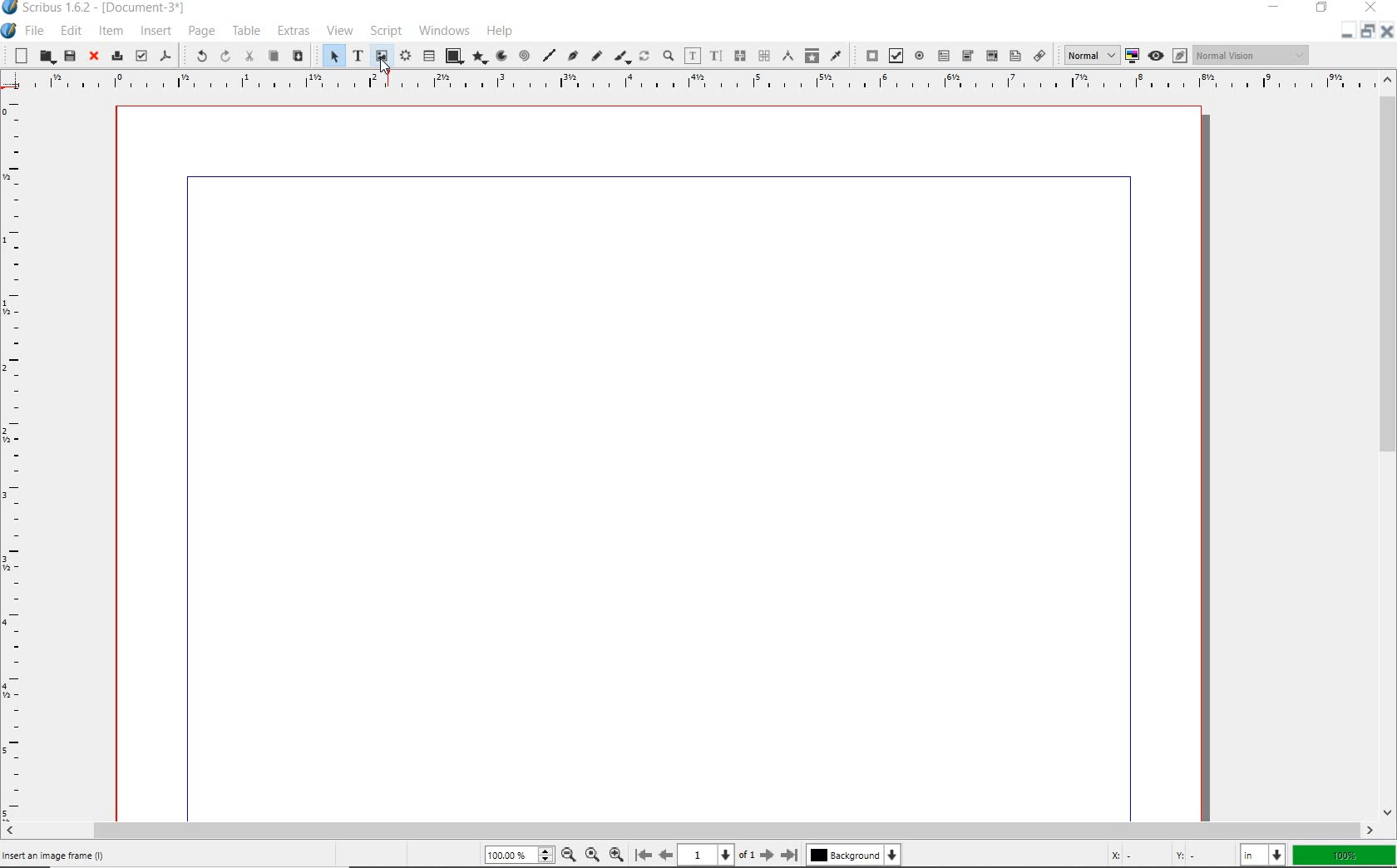 Image resolution: width=1397 pixels, height=868 pixels. I want to click on text frame, so click(357, 55).